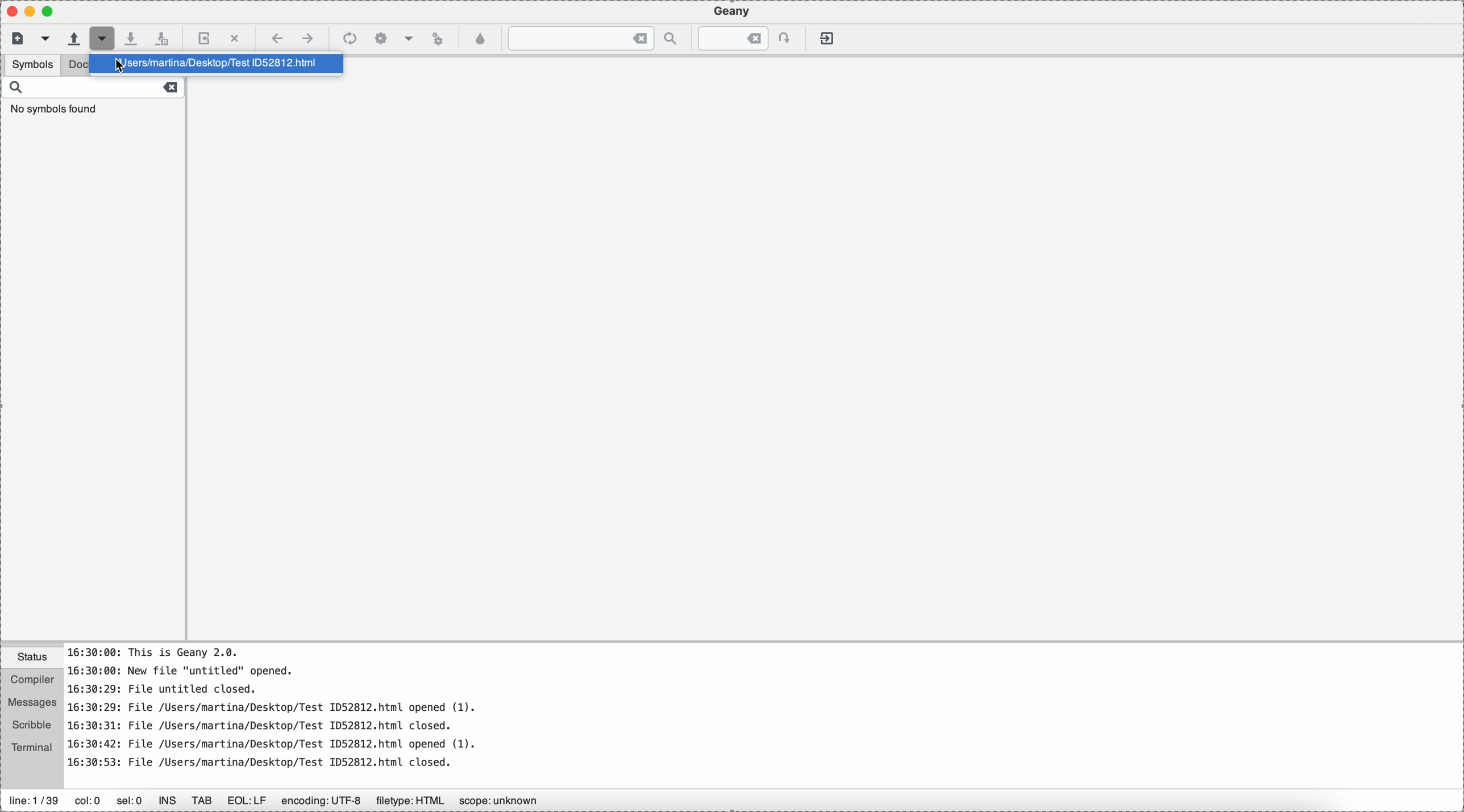 The image size is (1464, 812). I want to click on users:martina/dekstop/TestID52812.html, so click(215, 65).